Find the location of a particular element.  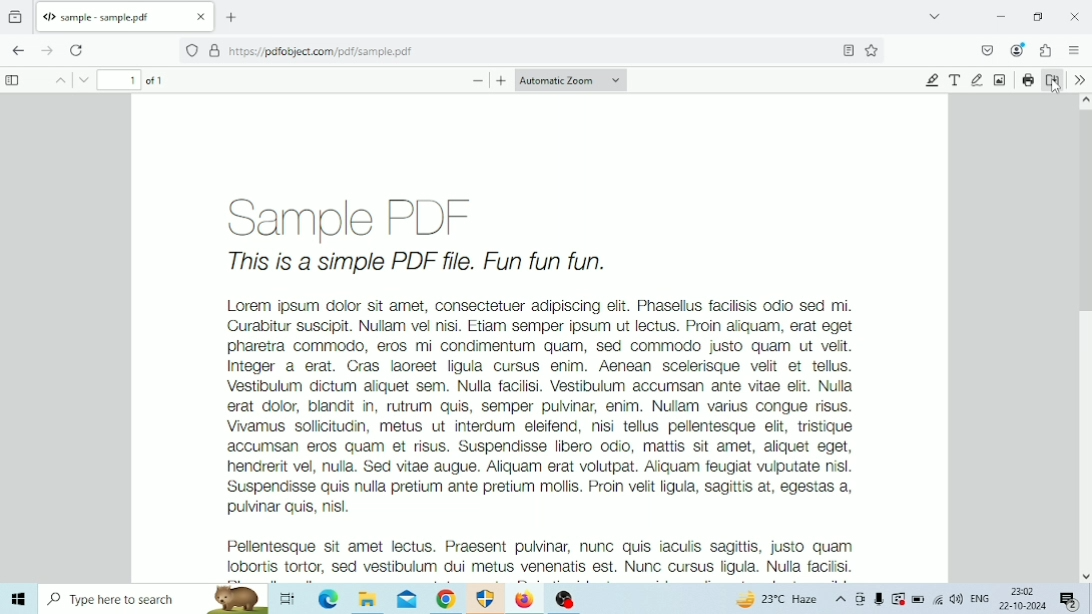

Scroll up is located at coordinates (1085, 103).